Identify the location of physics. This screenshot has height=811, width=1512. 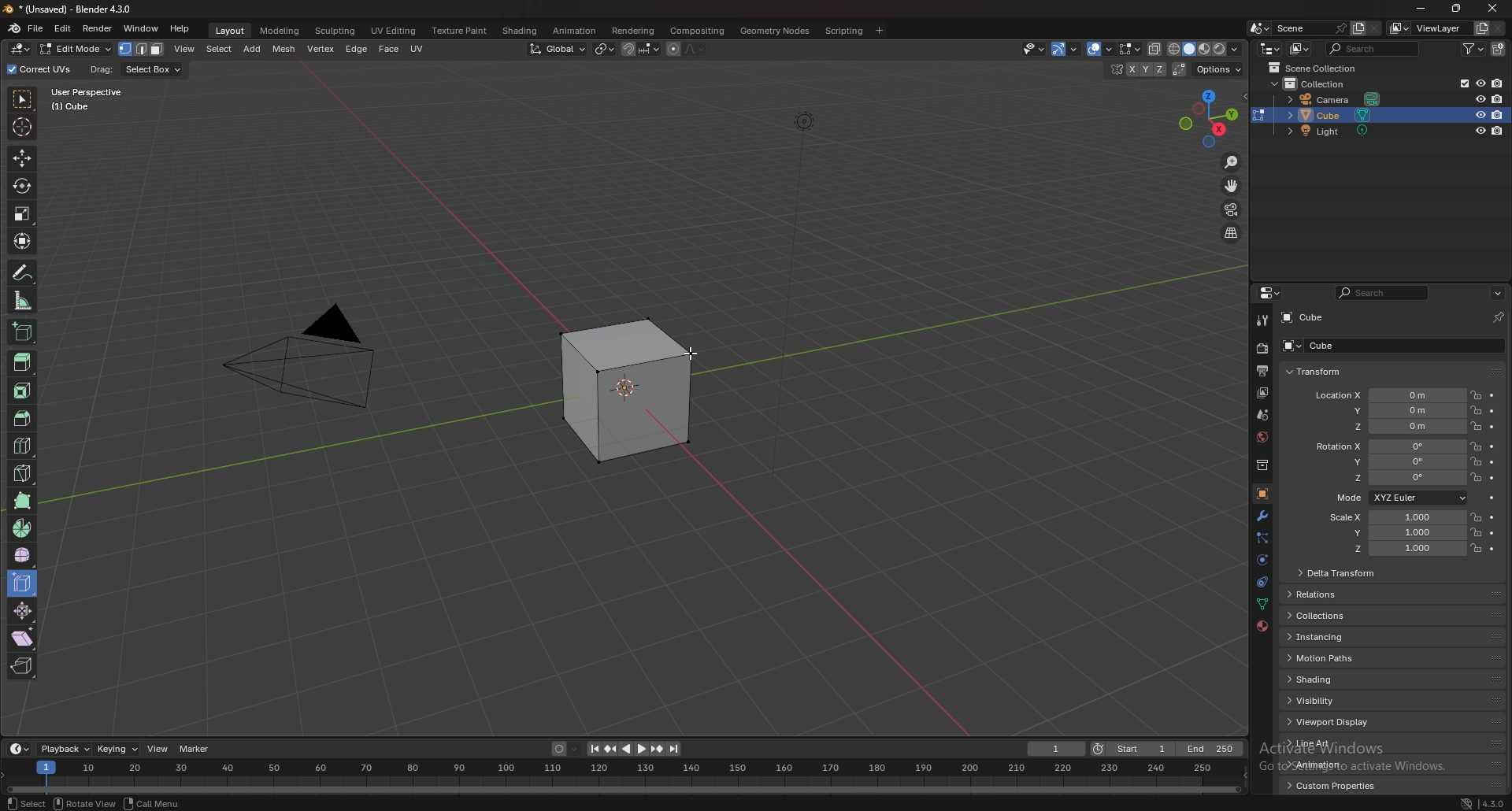
(1262, 561).